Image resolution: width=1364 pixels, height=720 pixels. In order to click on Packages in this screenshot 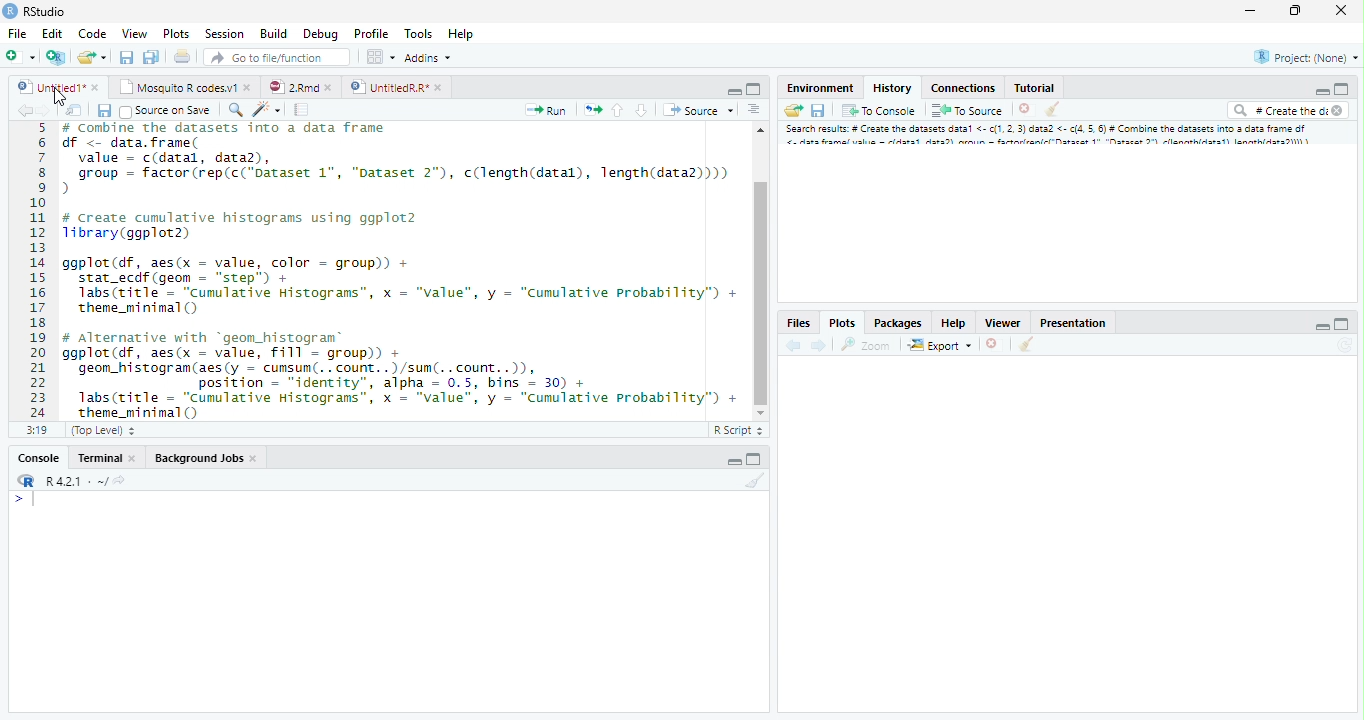, I will do `click(898, 321)`.